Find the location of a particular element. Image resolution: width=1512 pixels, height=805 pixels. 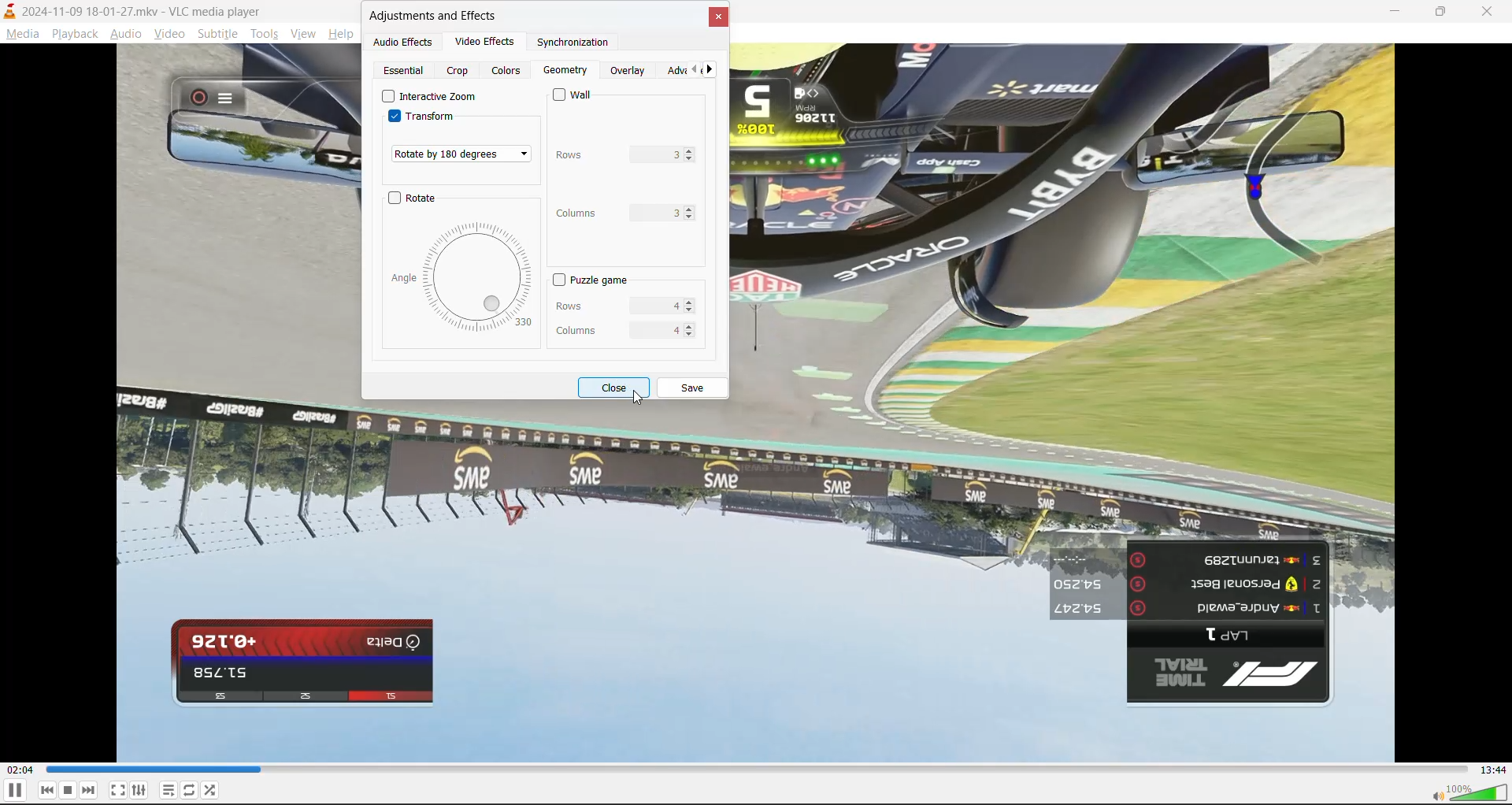

Decrease is located at coordinates (689, 339).